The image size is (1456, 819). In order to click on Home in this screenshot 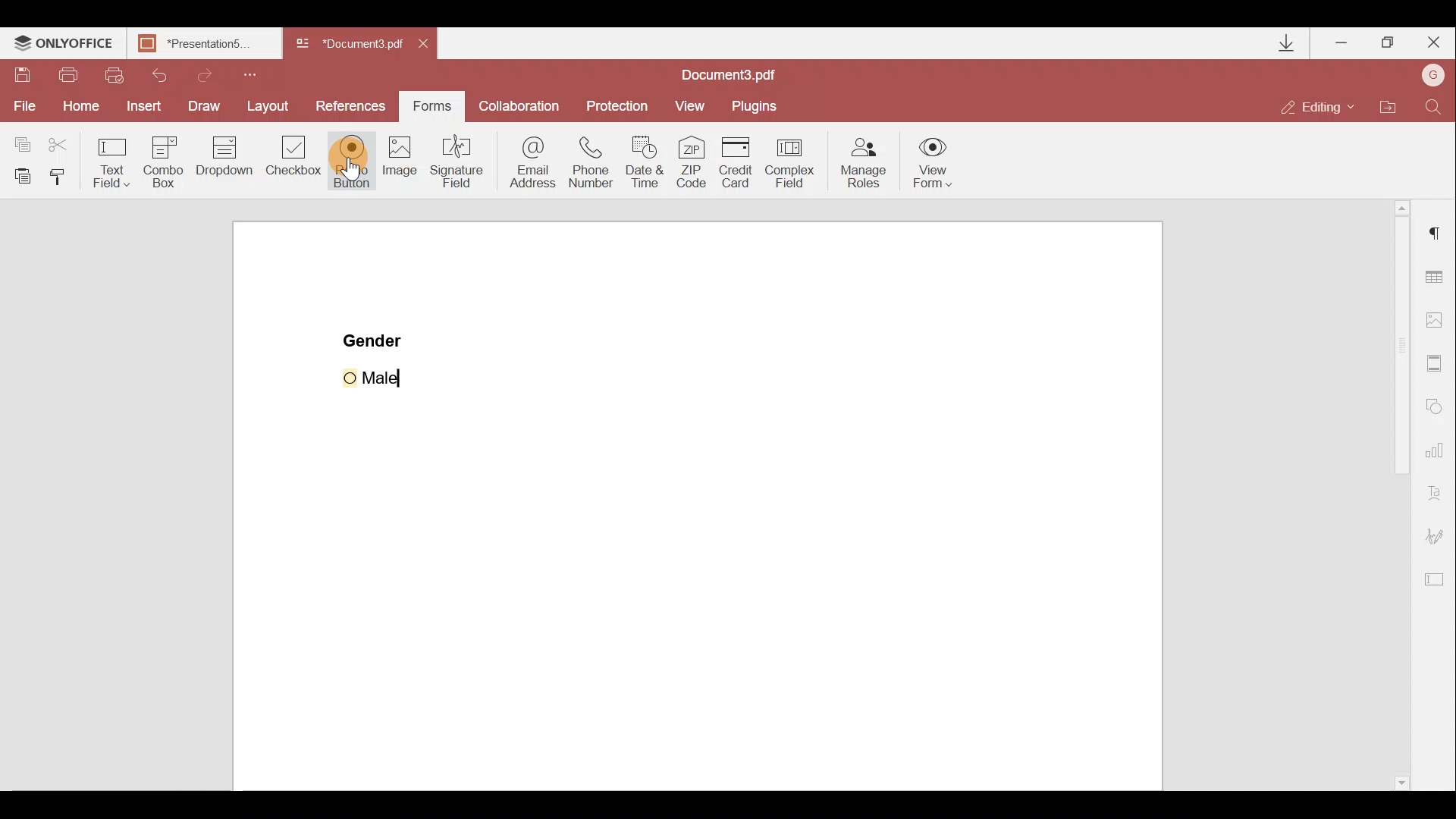, I will do `click(77, 108)`.